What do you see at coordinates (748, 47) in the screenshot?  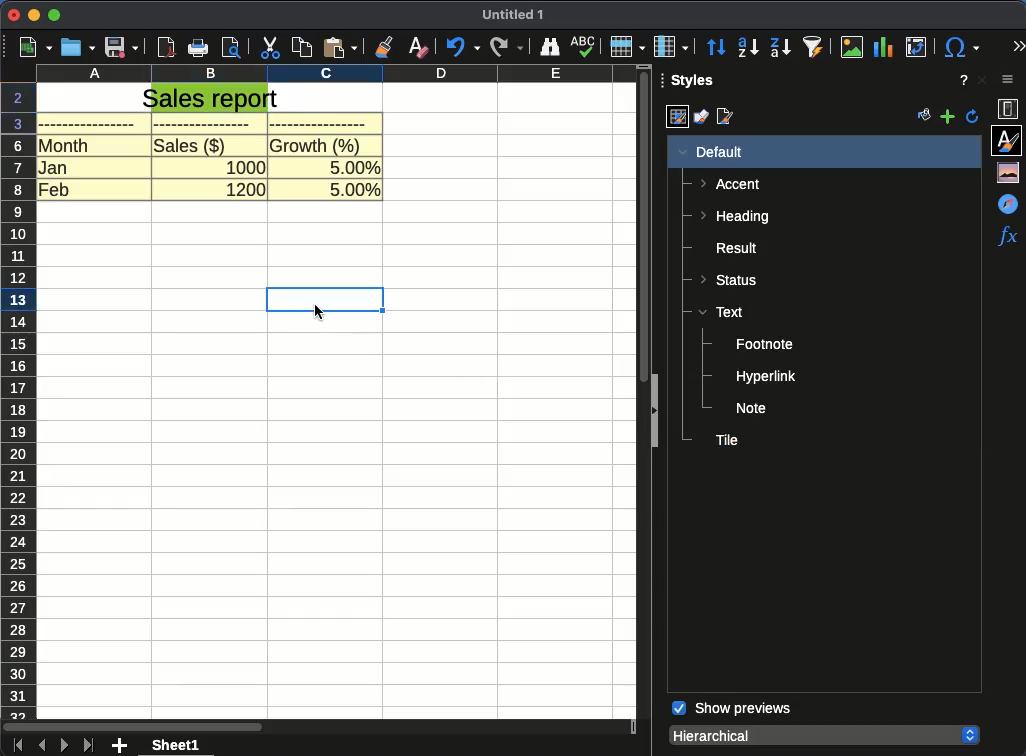 I see `ascending` at bounding box center [748, 47].